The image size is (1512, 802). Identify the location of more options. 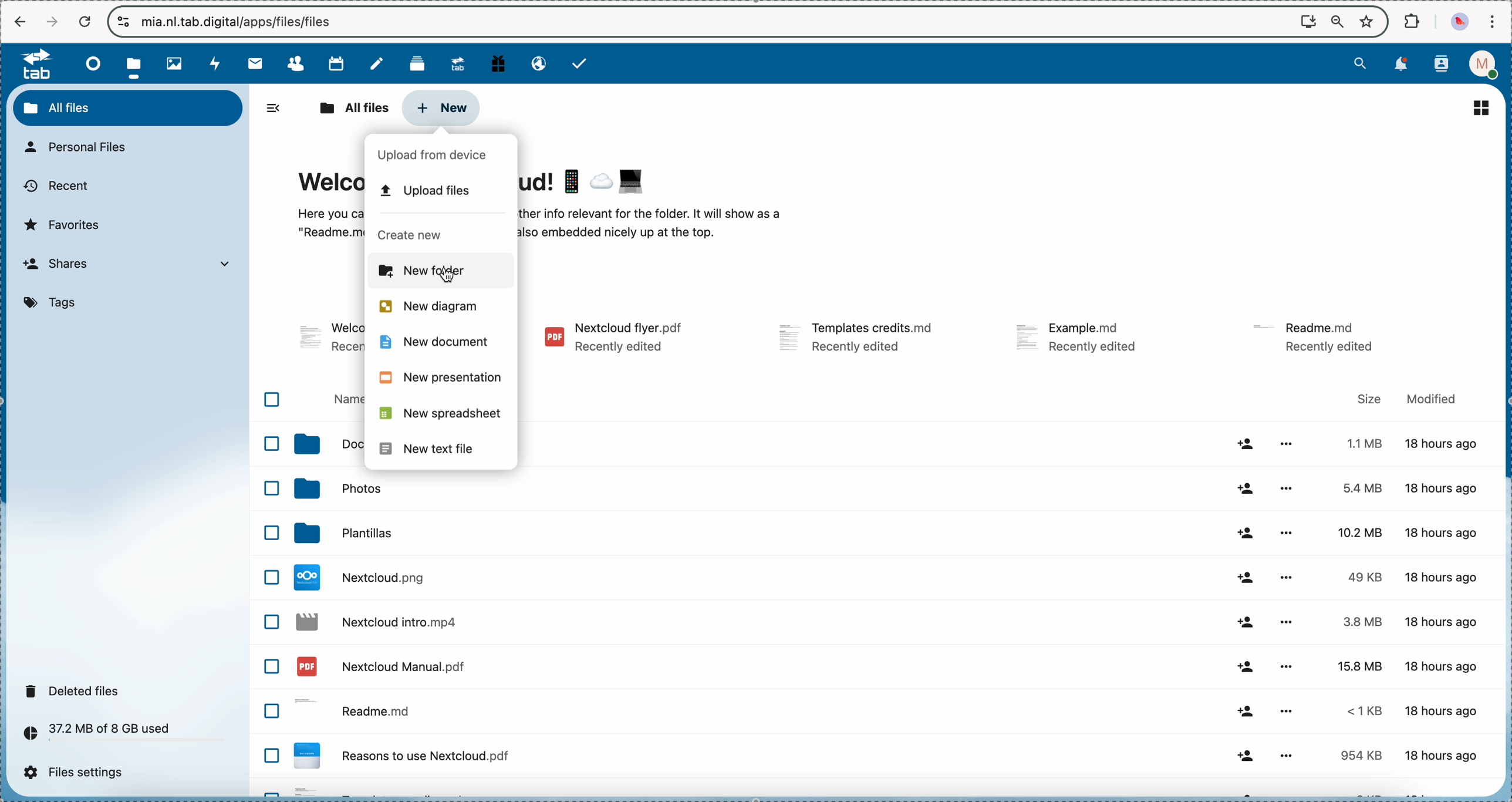
(1293, 441).